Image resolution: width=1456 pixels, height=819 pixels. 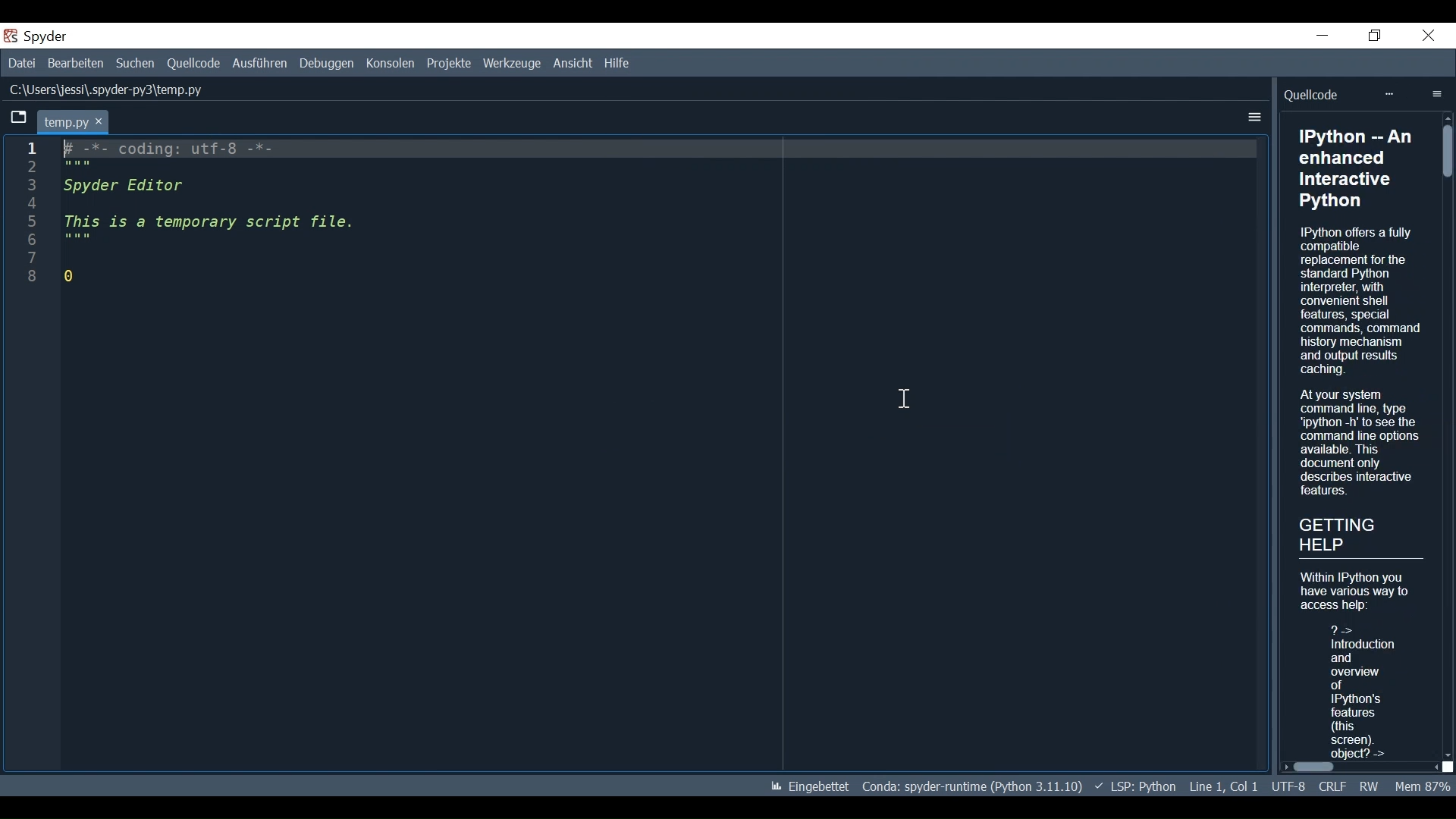 What do you see at coordinates (1357, 689) in the screenshot?
I see `2
Introduction
and
overview
of
IPython's
features
(this
screen)
obhiect? >` at bounding box center [1357, 689].